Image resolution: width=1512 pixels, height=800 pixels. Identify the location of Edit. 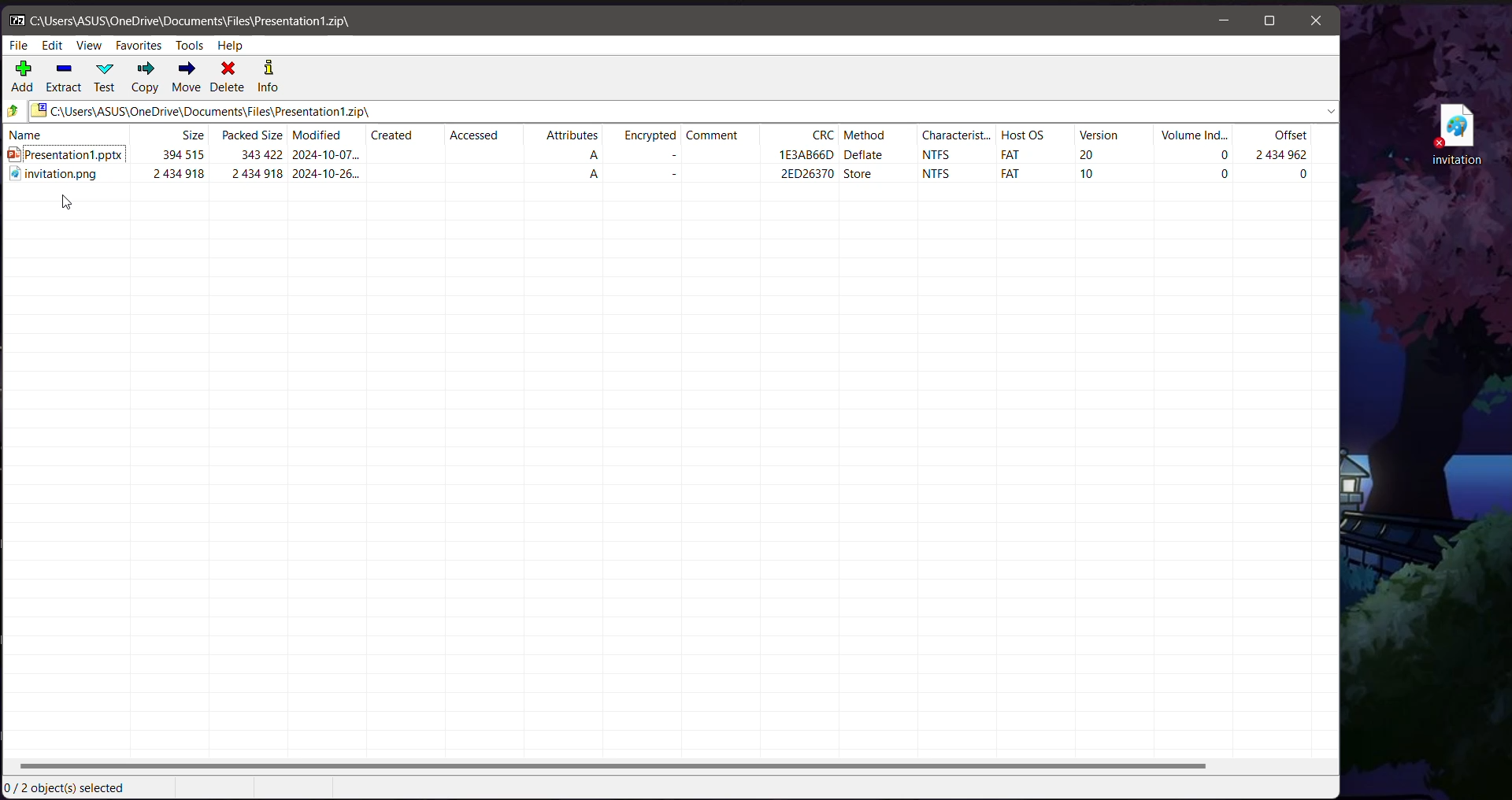
(54, 45).